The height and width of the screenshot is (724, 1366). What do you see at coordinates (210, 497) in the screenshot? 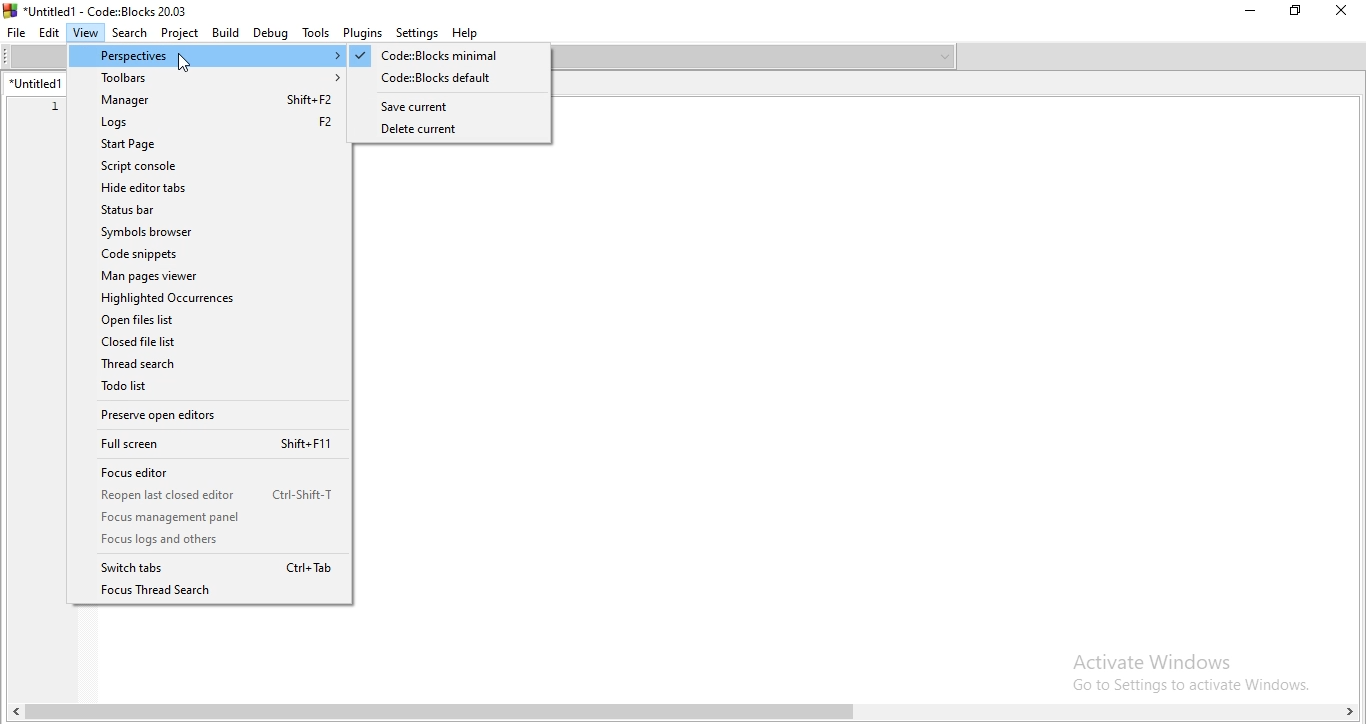
I see `Reopen last closed editor` at bounding box center [210, 497].